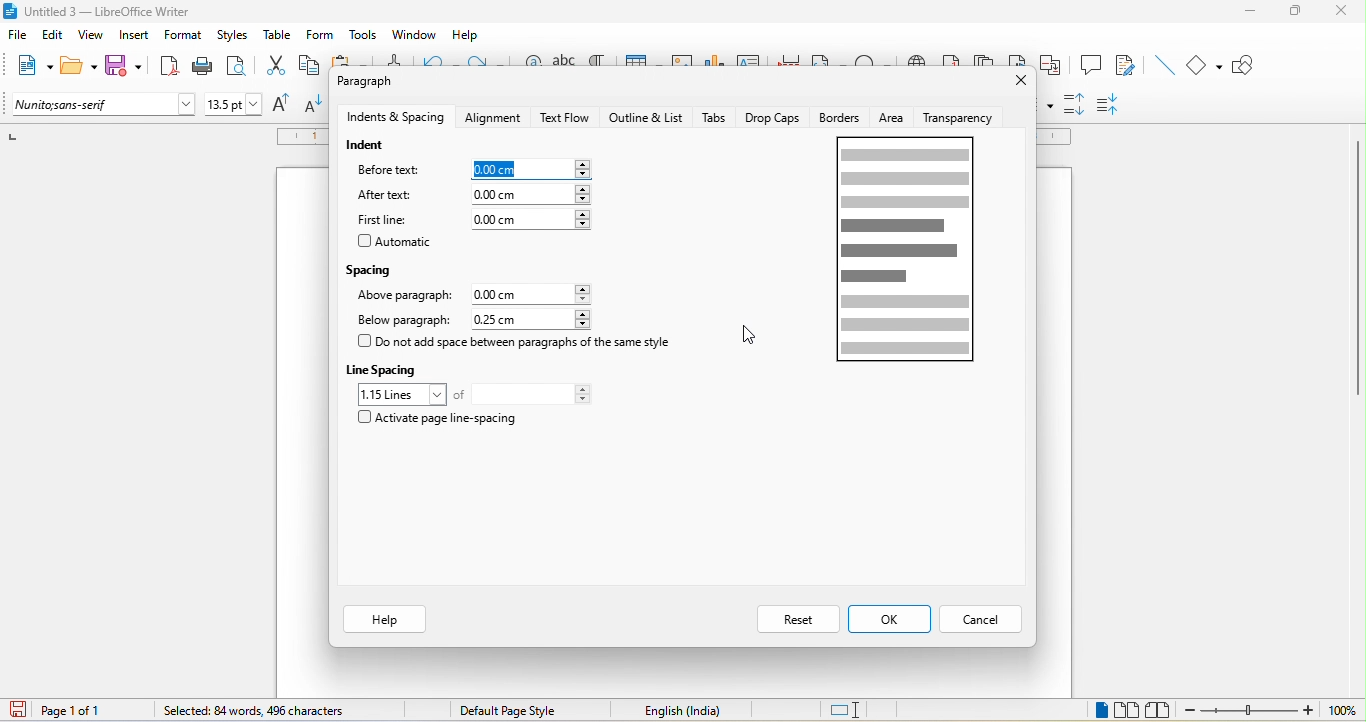 This screenshot has height=722, width=1366. What do you see at coordinates (87, 710) in the screenshot?
I see `page 1 of 1` at bounding box center [87, 710].